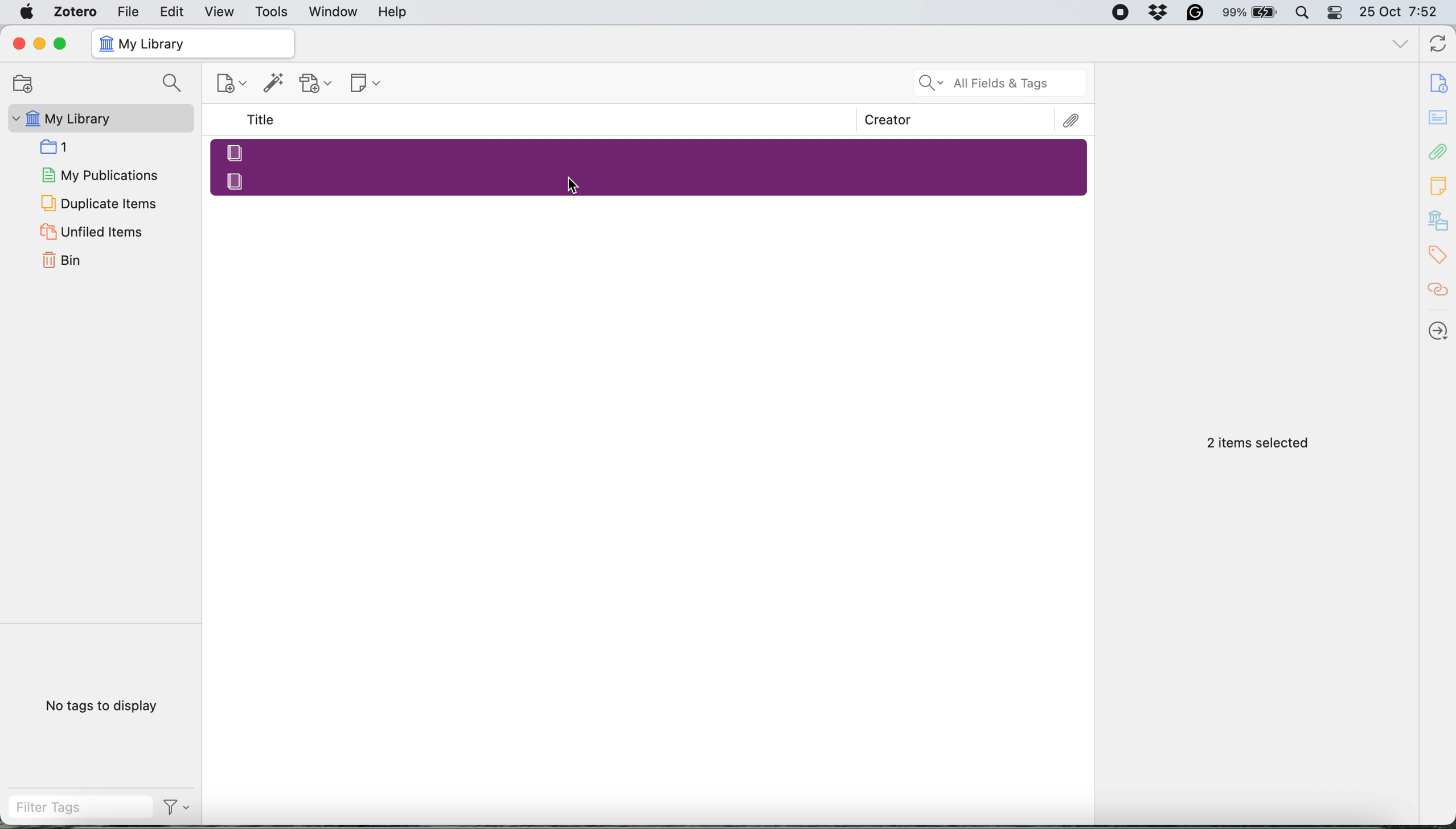 This screenshot has width=1456, height=829. What do you see at coordinates (274, 86) in the screenshot?
I see `Add Item` at bounding box center [274, 86].